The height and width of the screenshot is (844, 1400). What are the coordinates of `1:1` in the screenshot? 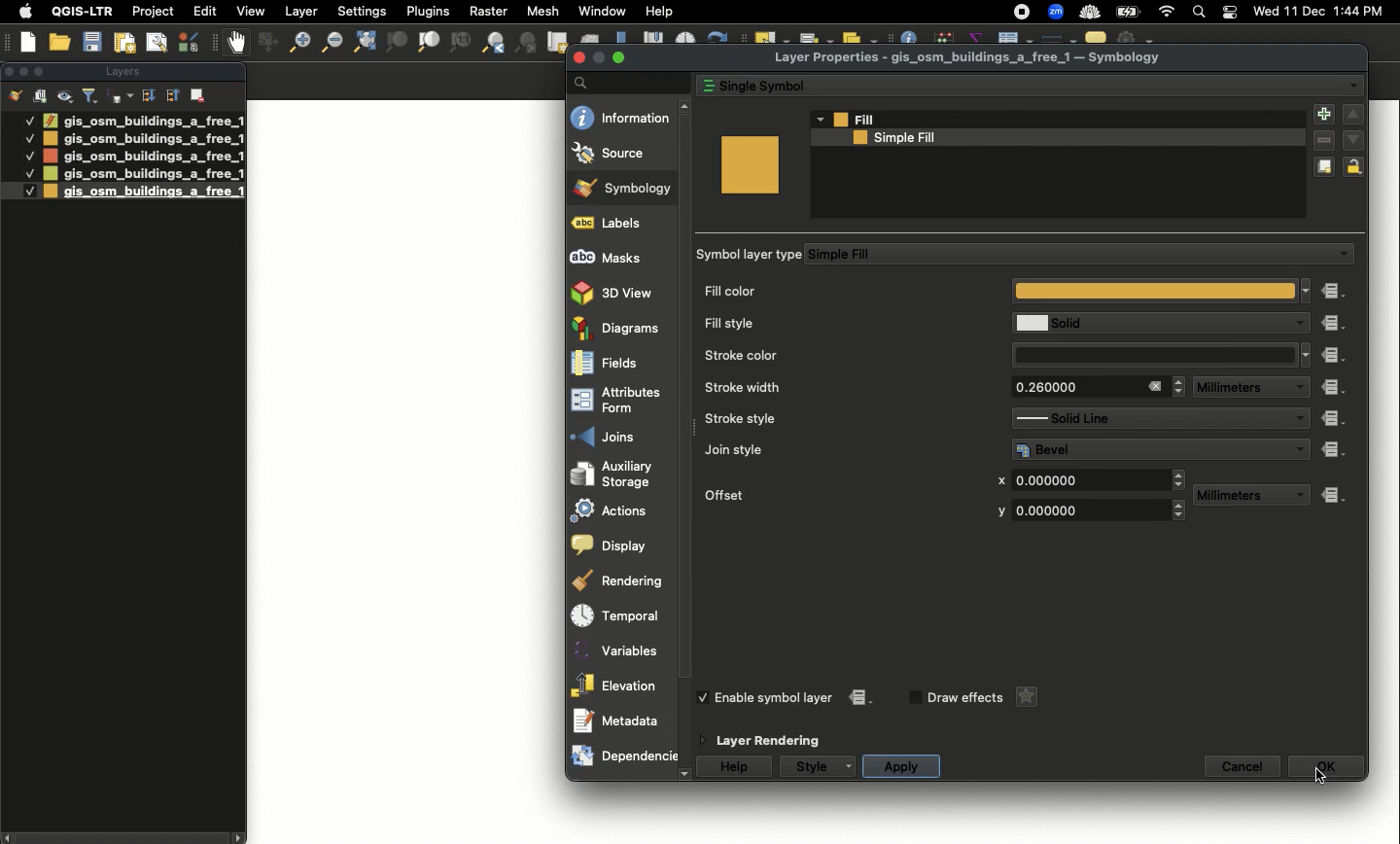 It's located at (459, 43).